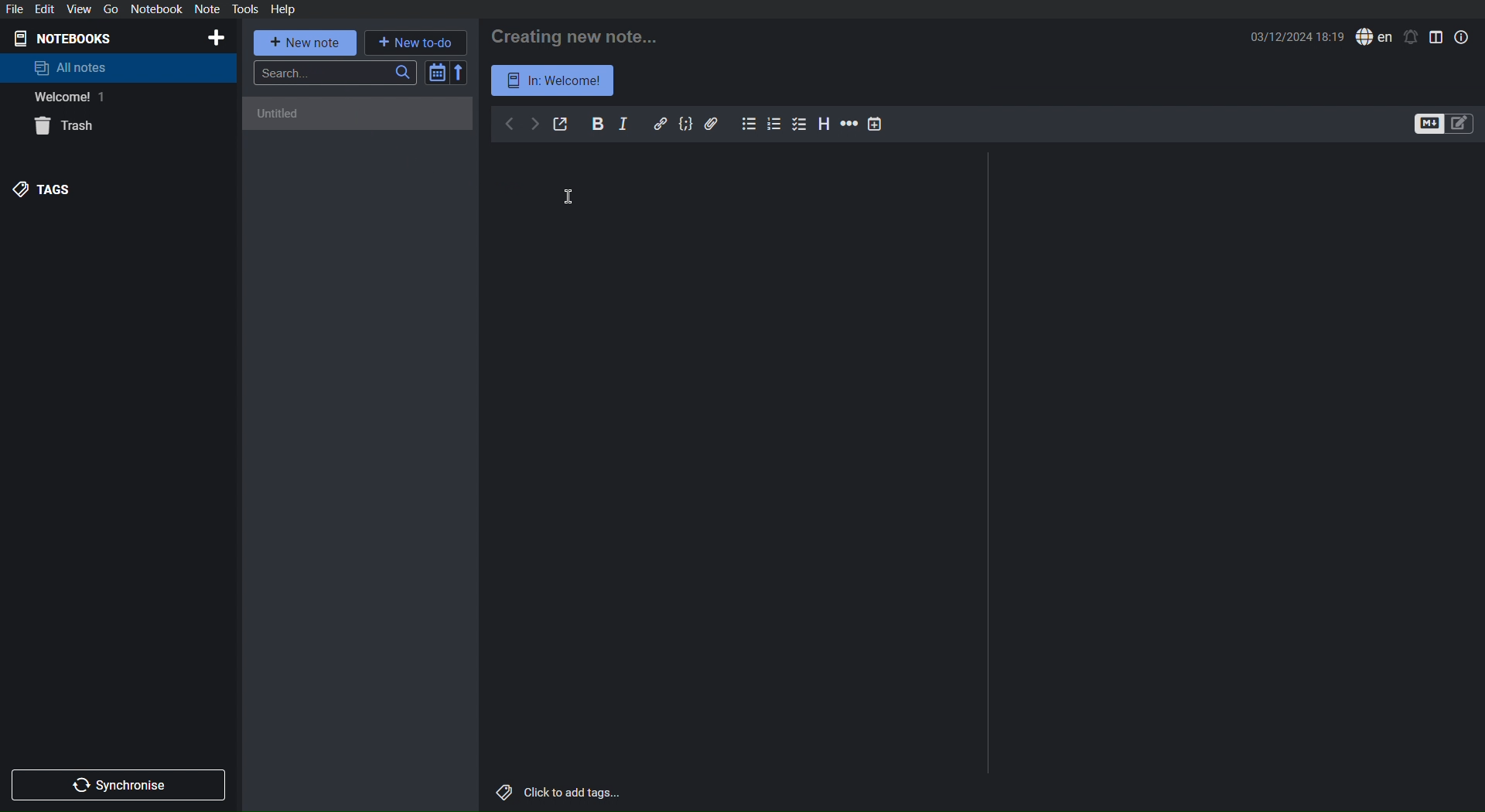 The height and width of the screenshot is (812, 1485). I want to click on Heading, so click(824, 124).